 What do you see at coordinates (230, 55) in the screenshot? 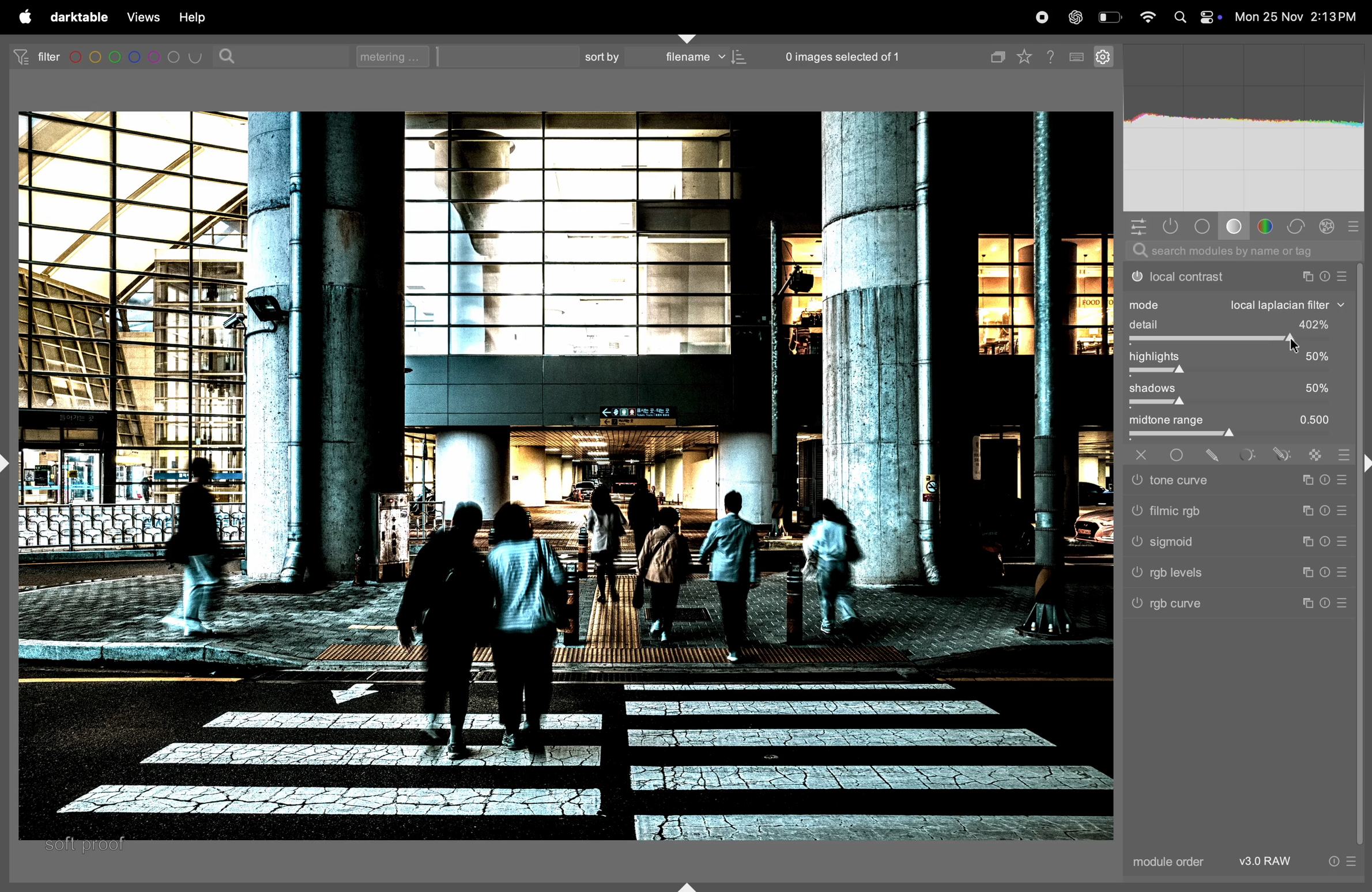
I see `search` at bounding box center [230, 55].